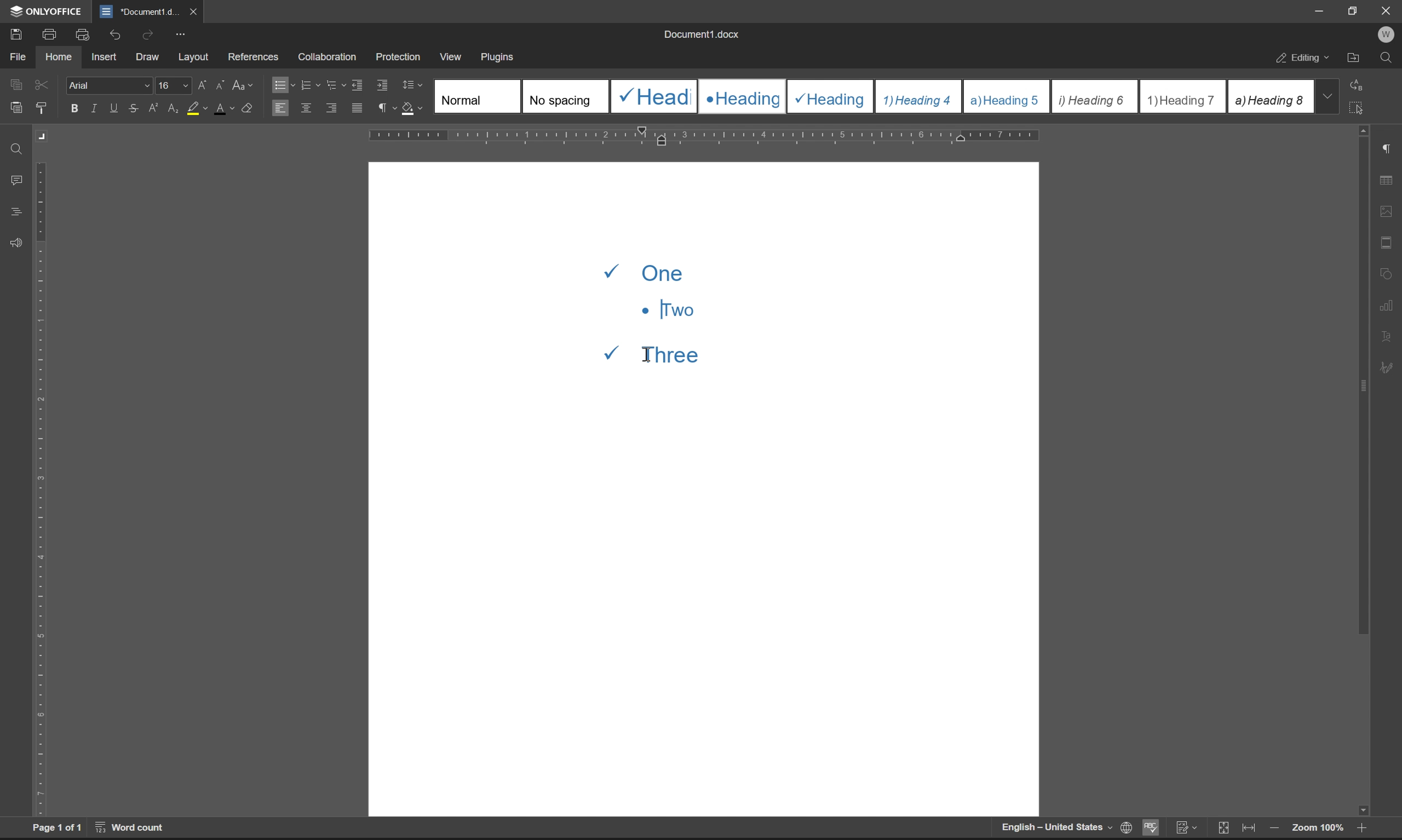 The height and width of the screenshot is (840, 1402). What do you see at coordinates (663, 352) in the screenshot?
I see `three` at bounding box center [663, 352].